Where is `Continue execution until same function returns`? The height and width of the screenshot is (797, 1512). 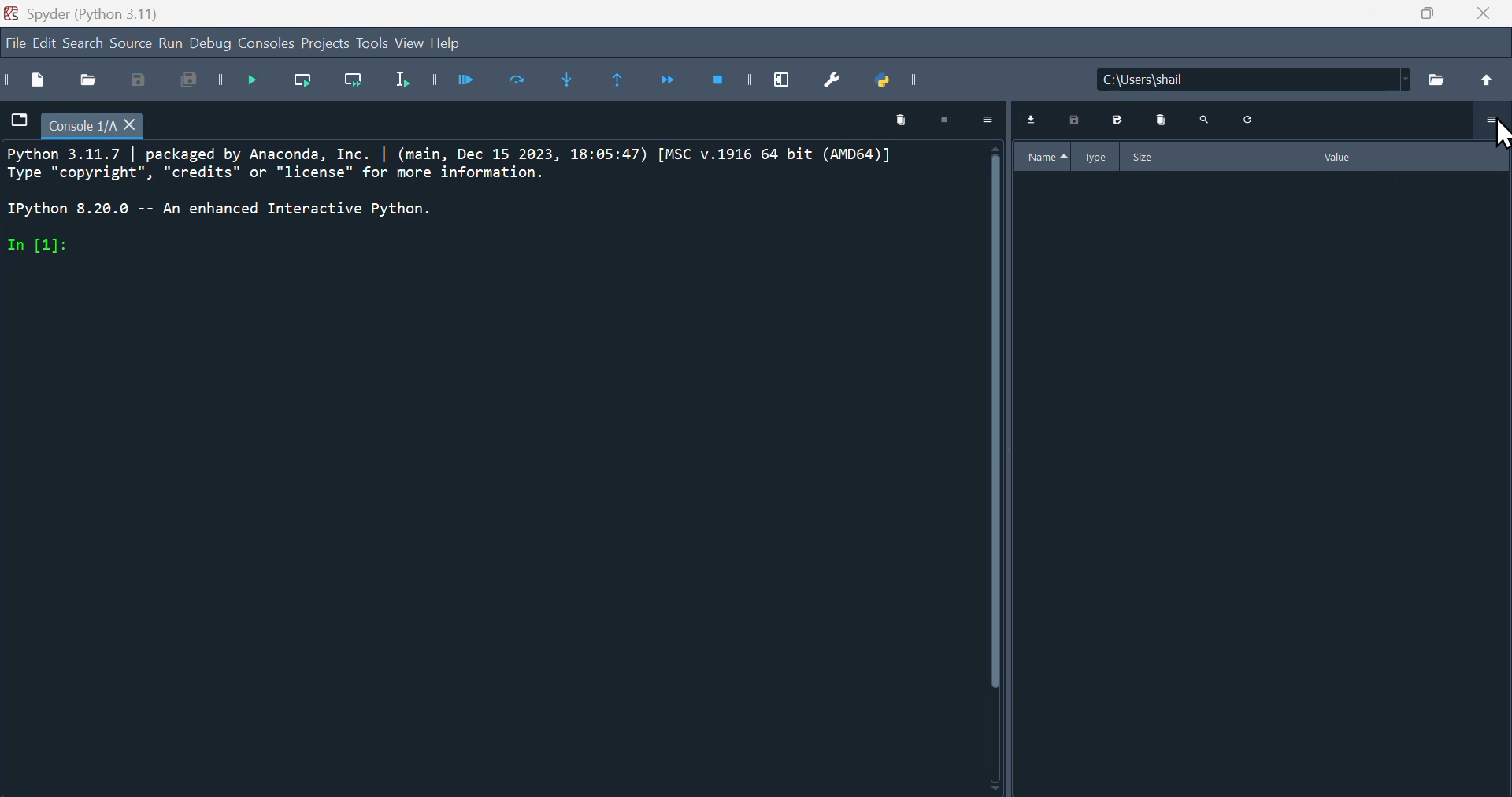 Continue execution until same function returns is located at coordinates (624, 81).